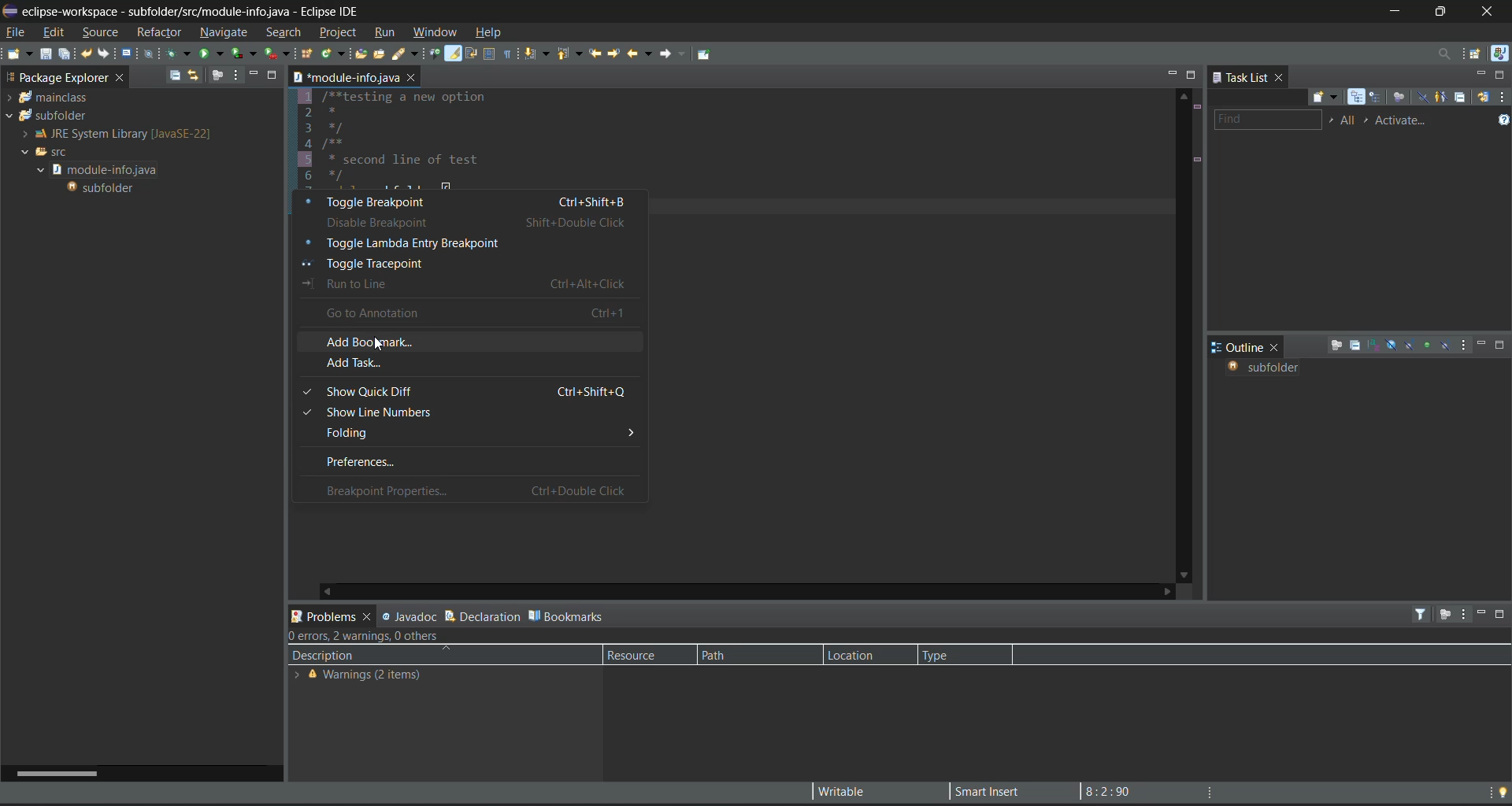  What do you see at coordinates (46, 54) in the screenshot?
I see `save` at bounding box center [46, 54].